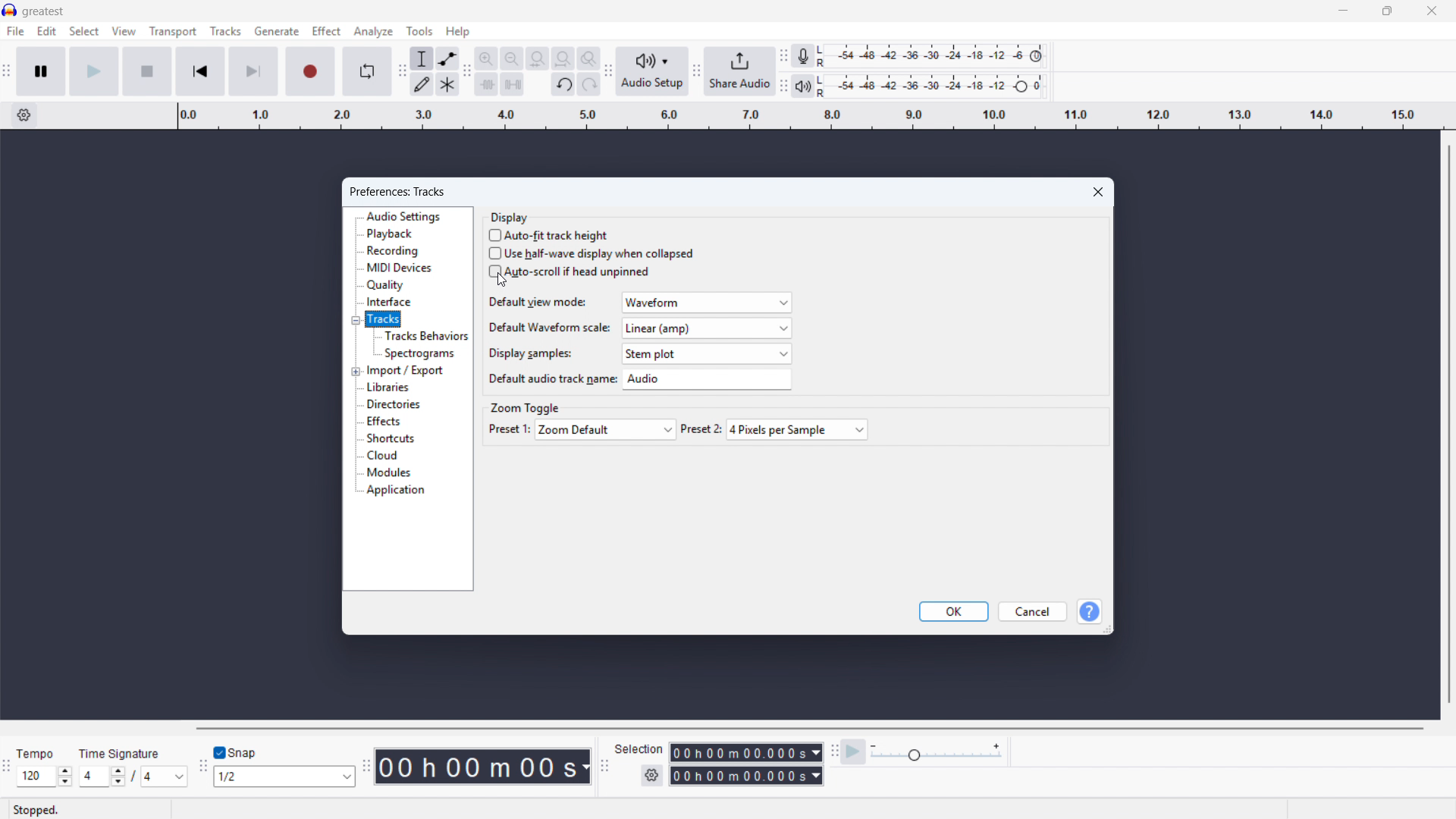 This screenshot has height=819, width=1456. Describe the element at coordinates (400, 267) in the screenshot. I see `Midi devices` at that location.